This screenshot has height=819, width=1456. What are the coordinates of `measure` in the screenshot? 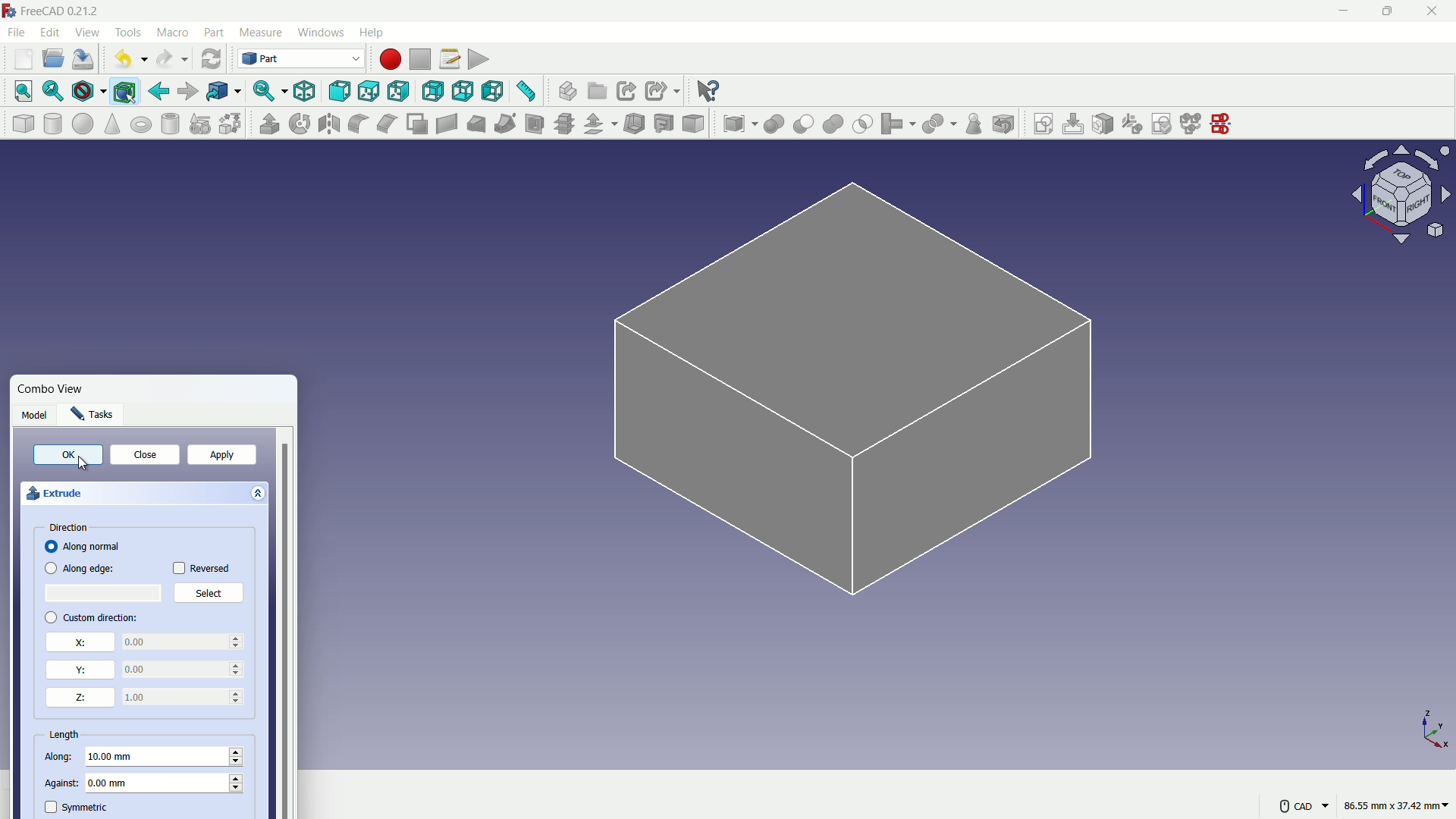 It's located at (528, 91).